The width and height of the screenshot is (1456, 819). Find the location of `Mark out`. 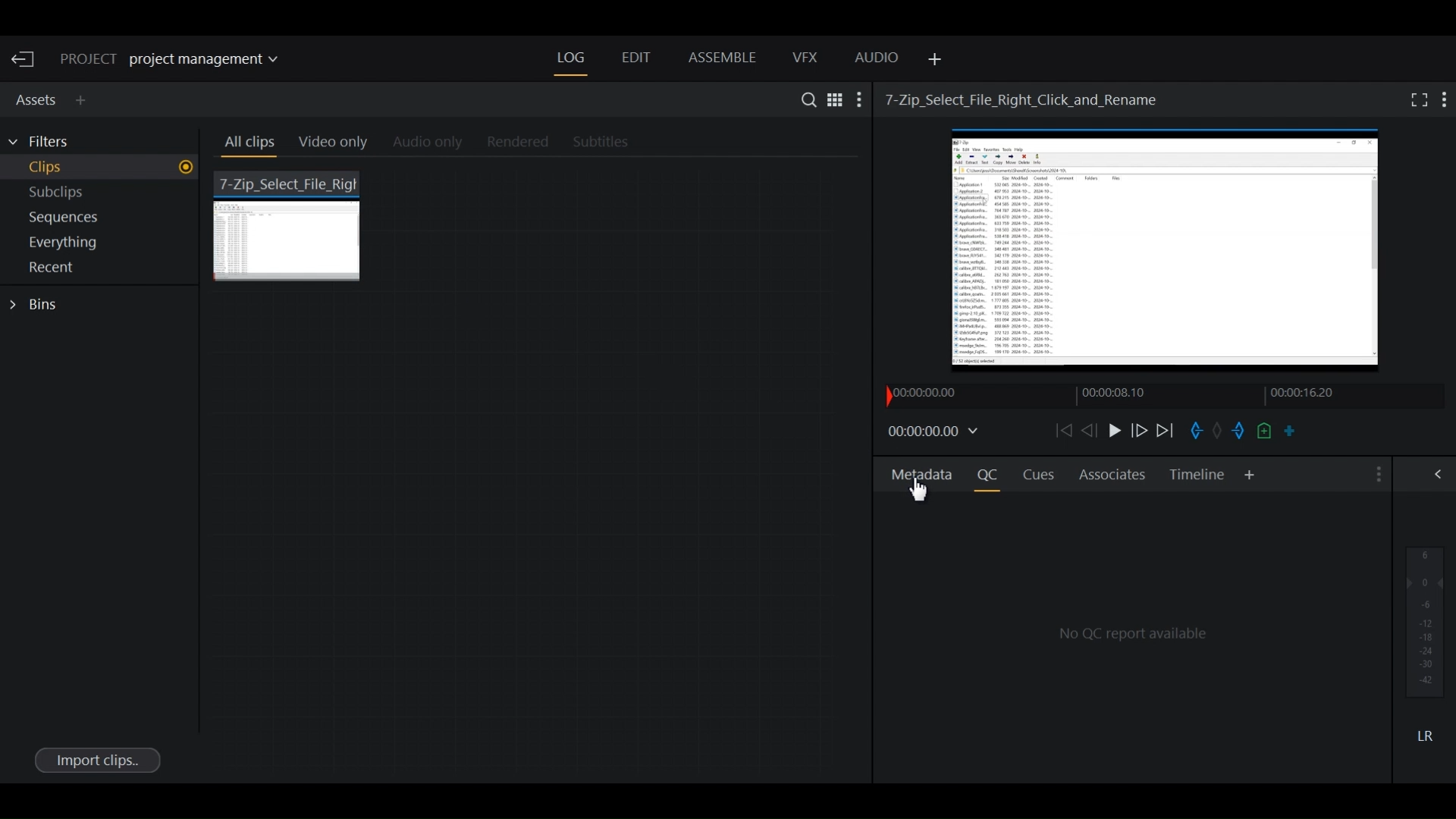

Mark out is located at coordinates (1237, 431).